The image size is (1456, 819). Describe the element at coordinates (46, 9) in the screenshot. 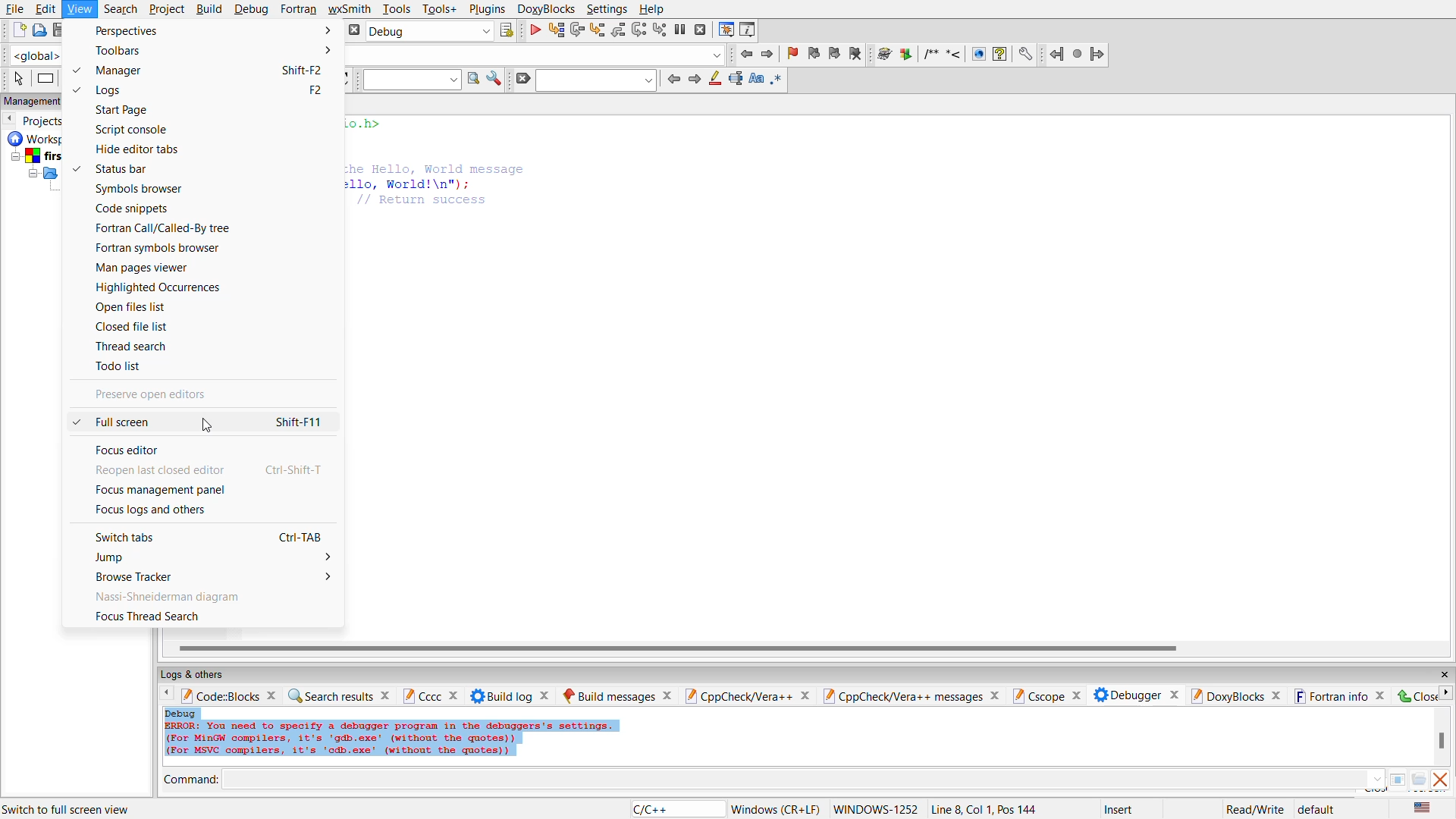

I see `edit` at that location.